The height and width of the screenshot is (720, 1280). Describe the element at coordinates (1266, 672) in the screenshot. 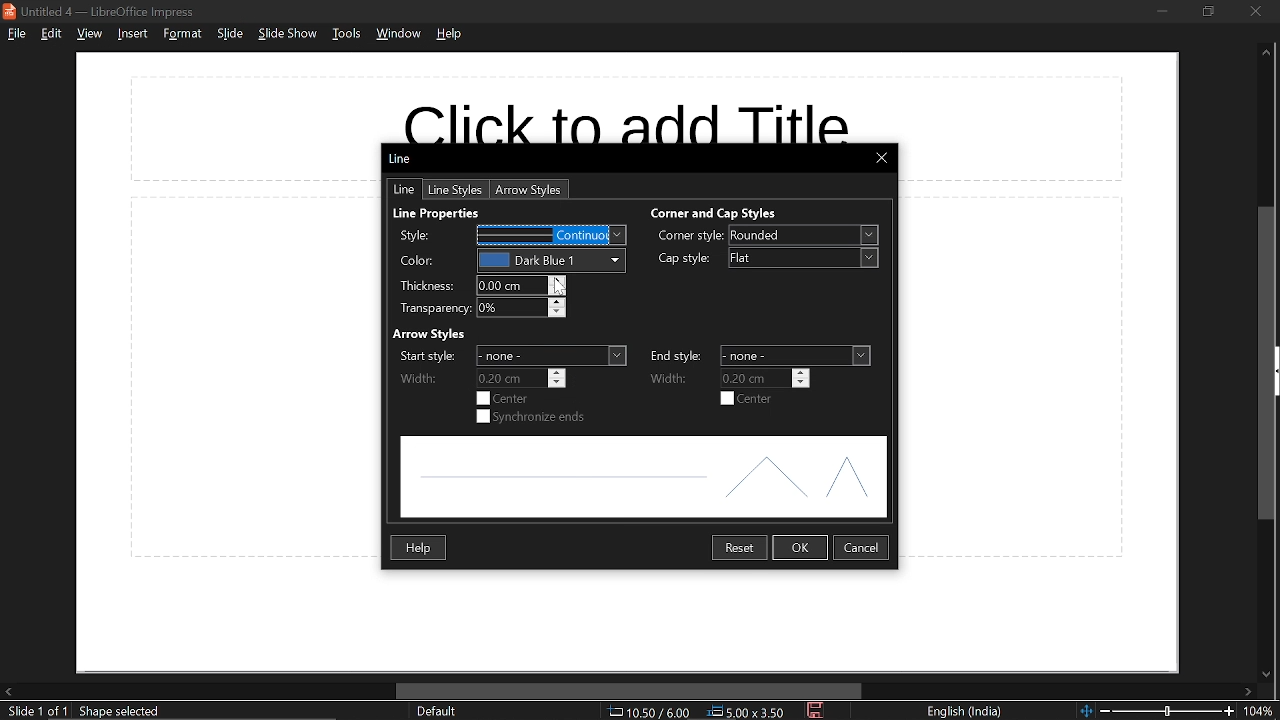

I see `Move down` at that location.